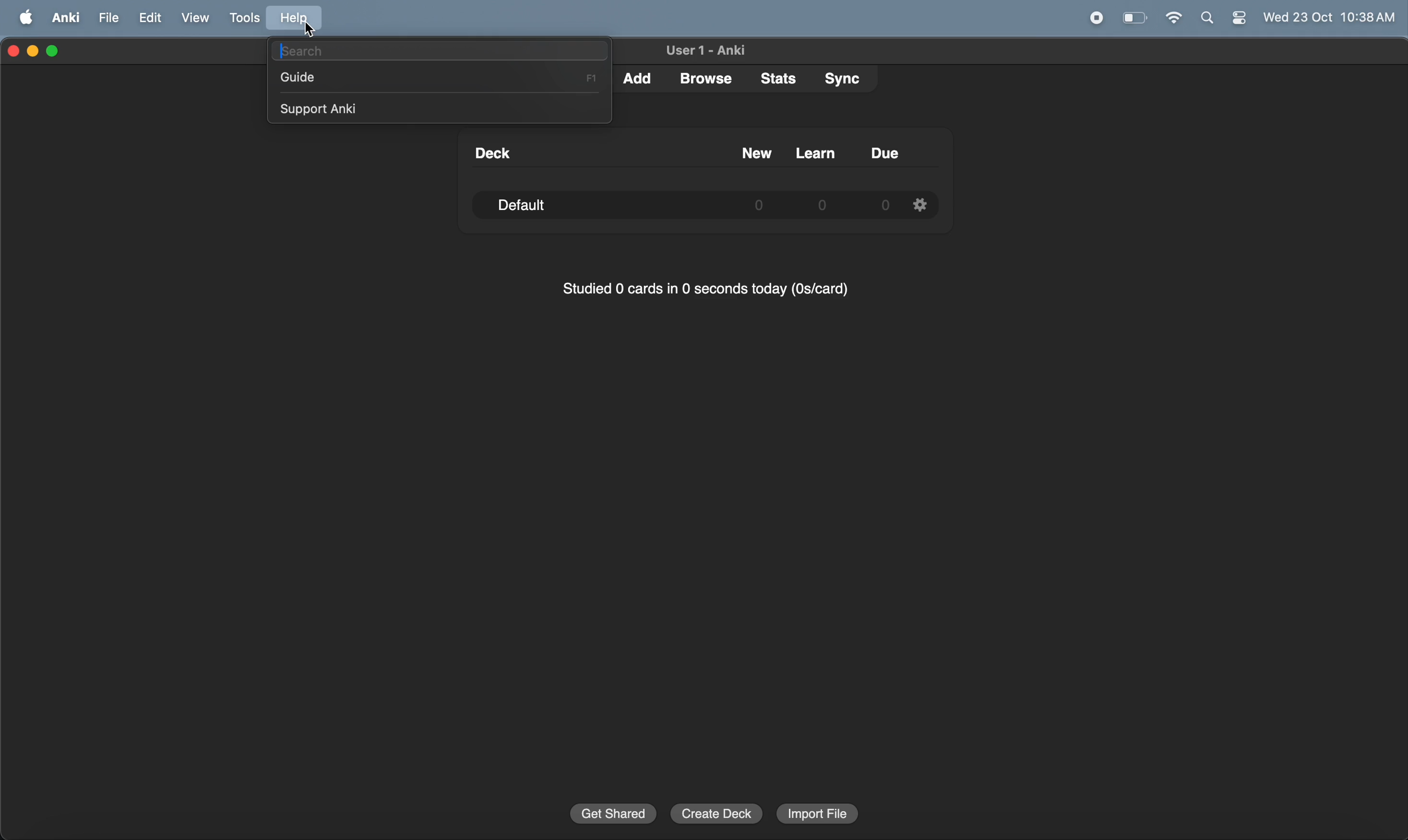  What do you see at coordinates (241, 18) in the screenshot?
I see `tools` at bounding box center [241, 18].